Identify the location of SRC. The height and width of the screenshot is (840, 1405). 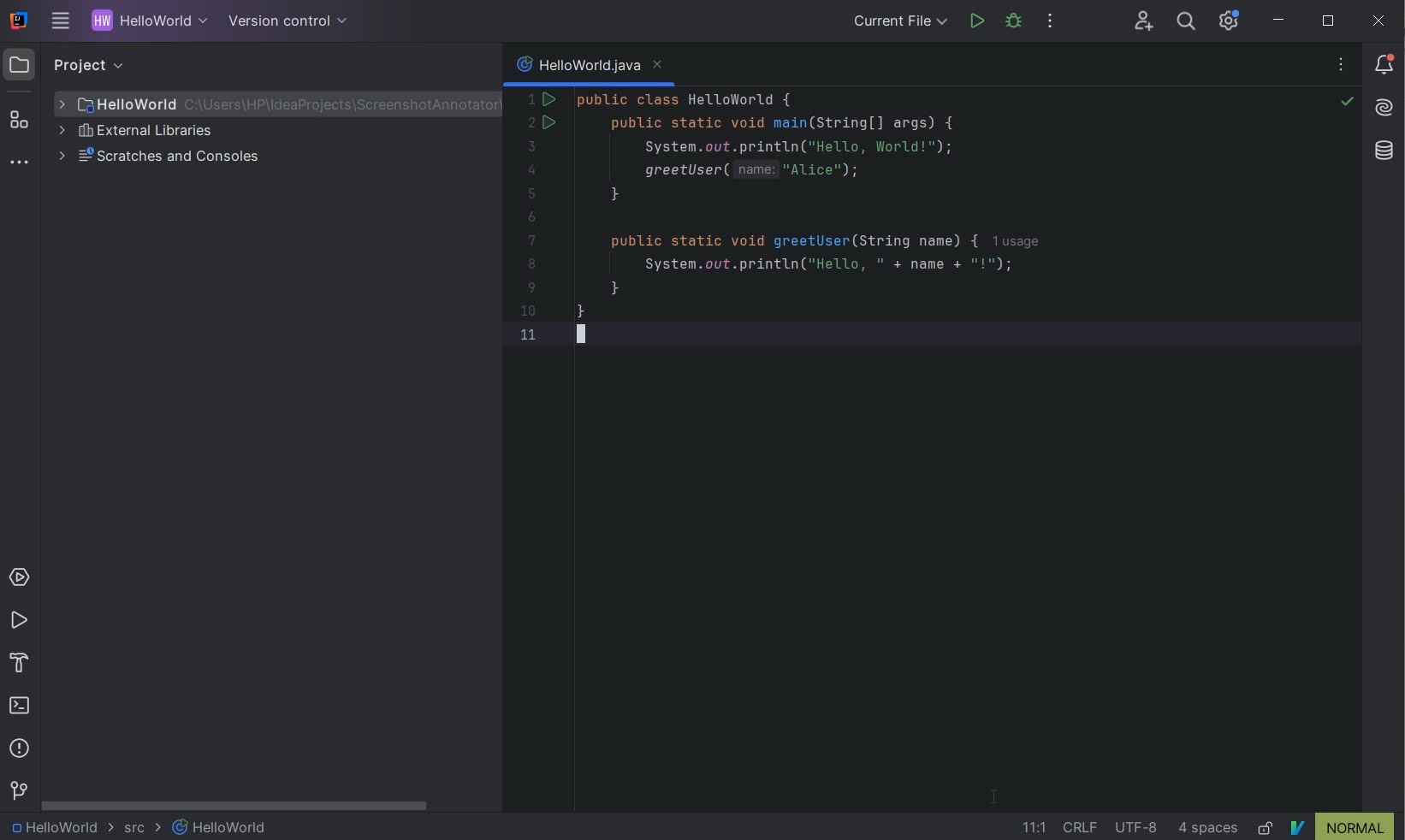
(143, 829).